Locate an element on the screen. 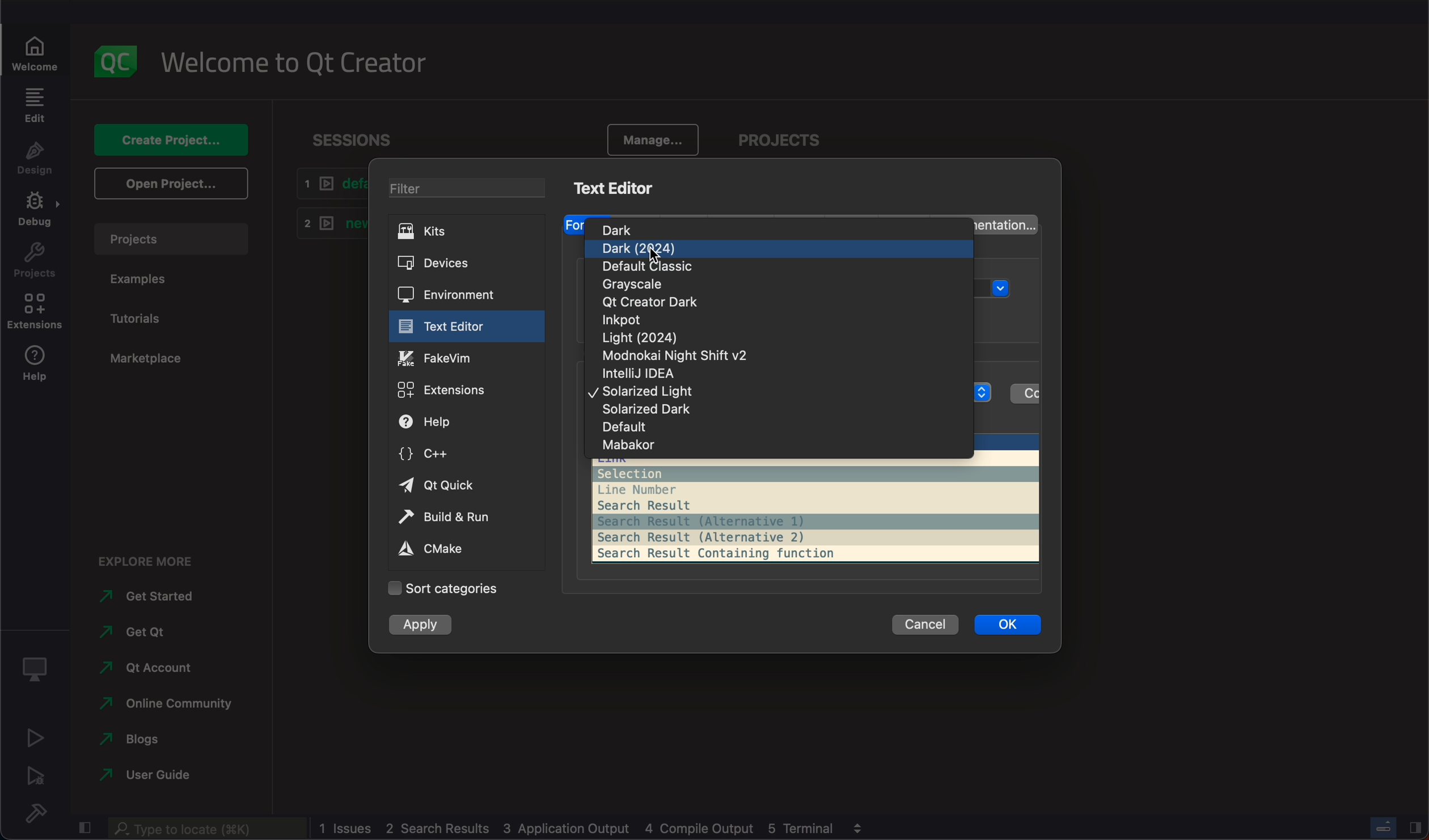 The image size is (1429, 840). online community is located at coordinates (166, 705).